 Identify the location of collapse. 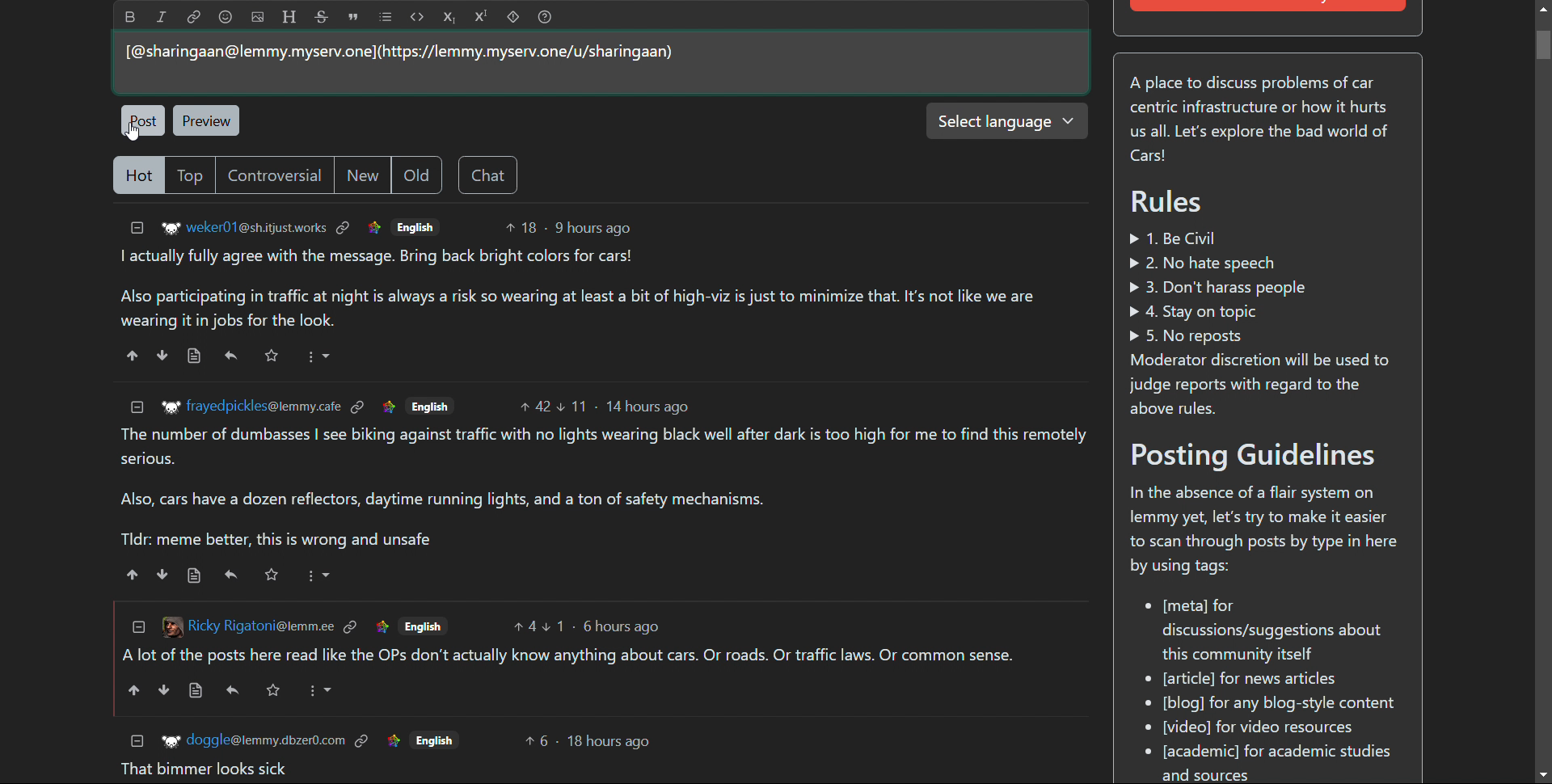
(137, 229).